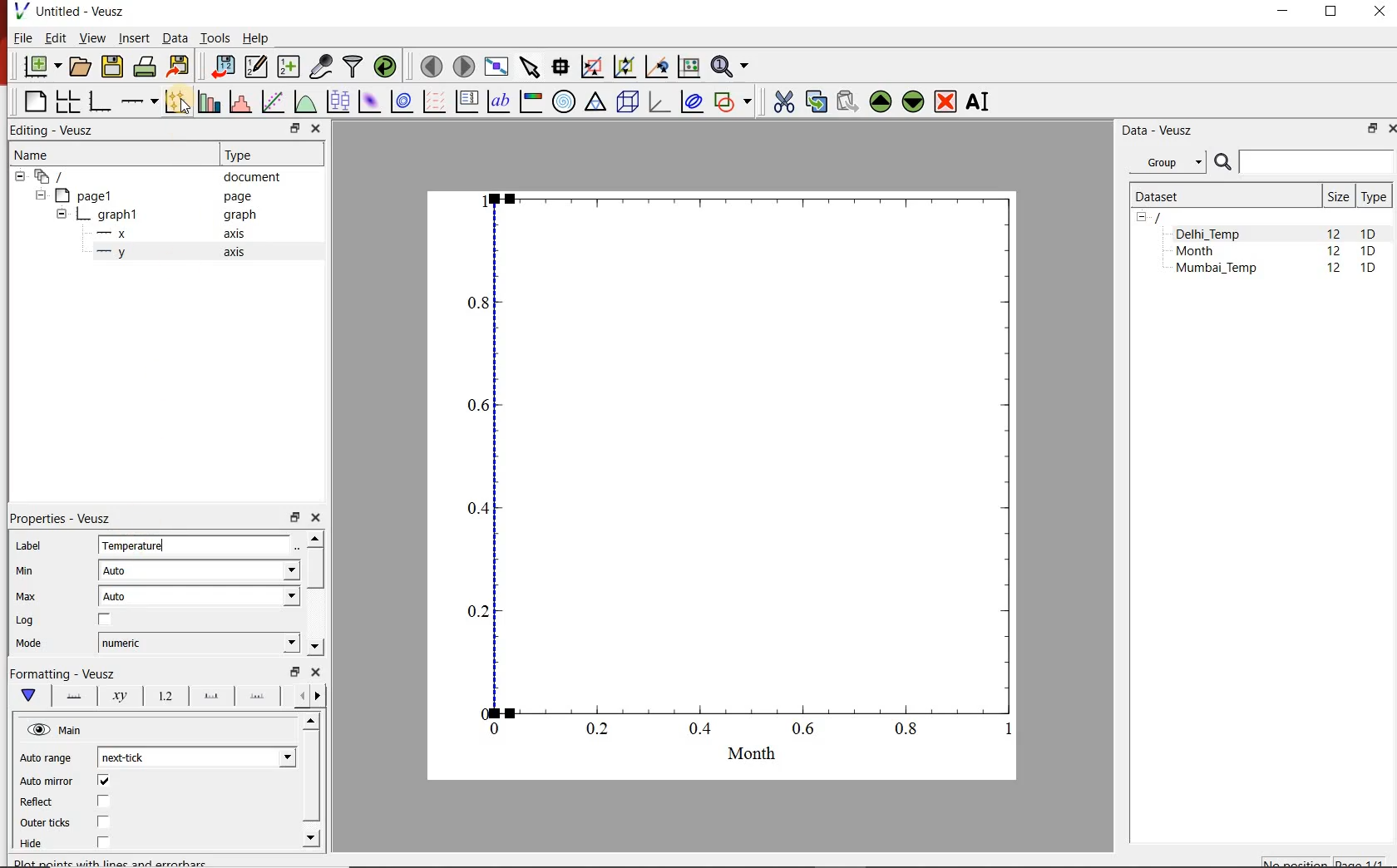  What do you see at coordinates (245, 155) in the screenshot?
I see `Type` at bounding box center [245, 155].